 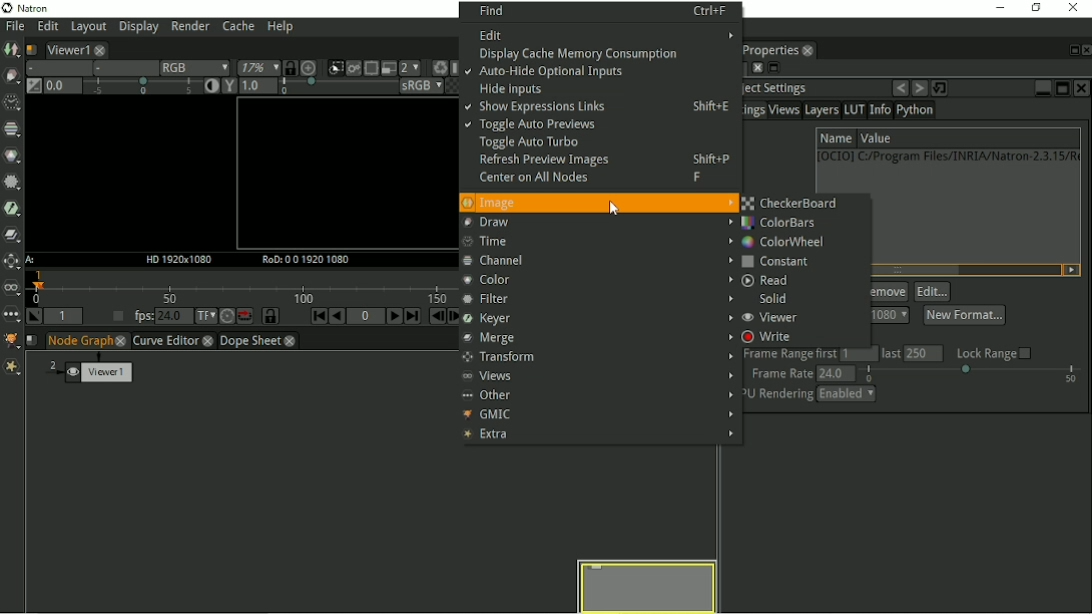 I want to click on Keyer, so click(x=12, y=207).